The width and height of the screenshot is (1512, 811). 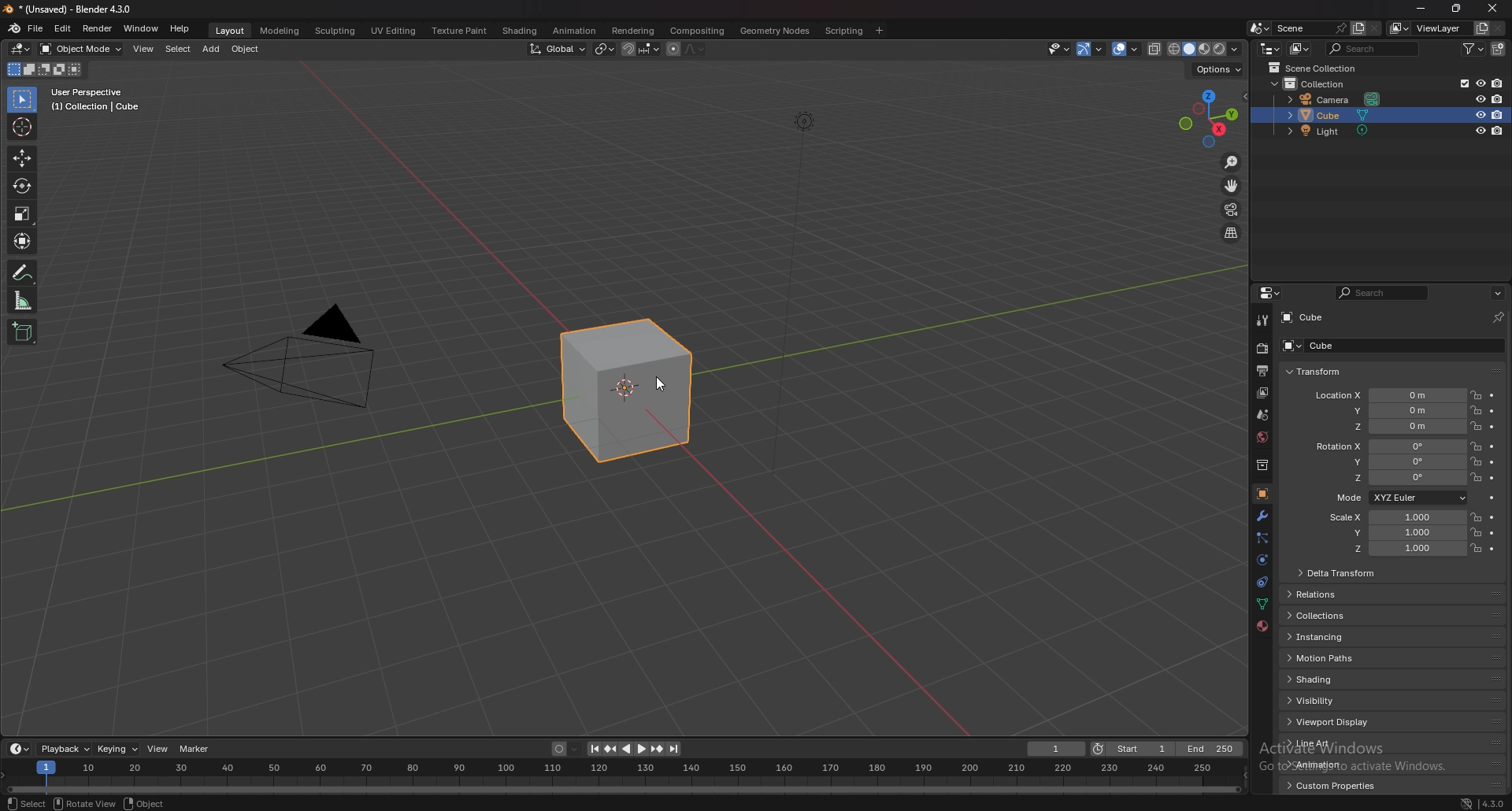 What do you see at coordinates (1358, 29) in the screenshot?
I see `new scene` at bounding box center [1358, 29].